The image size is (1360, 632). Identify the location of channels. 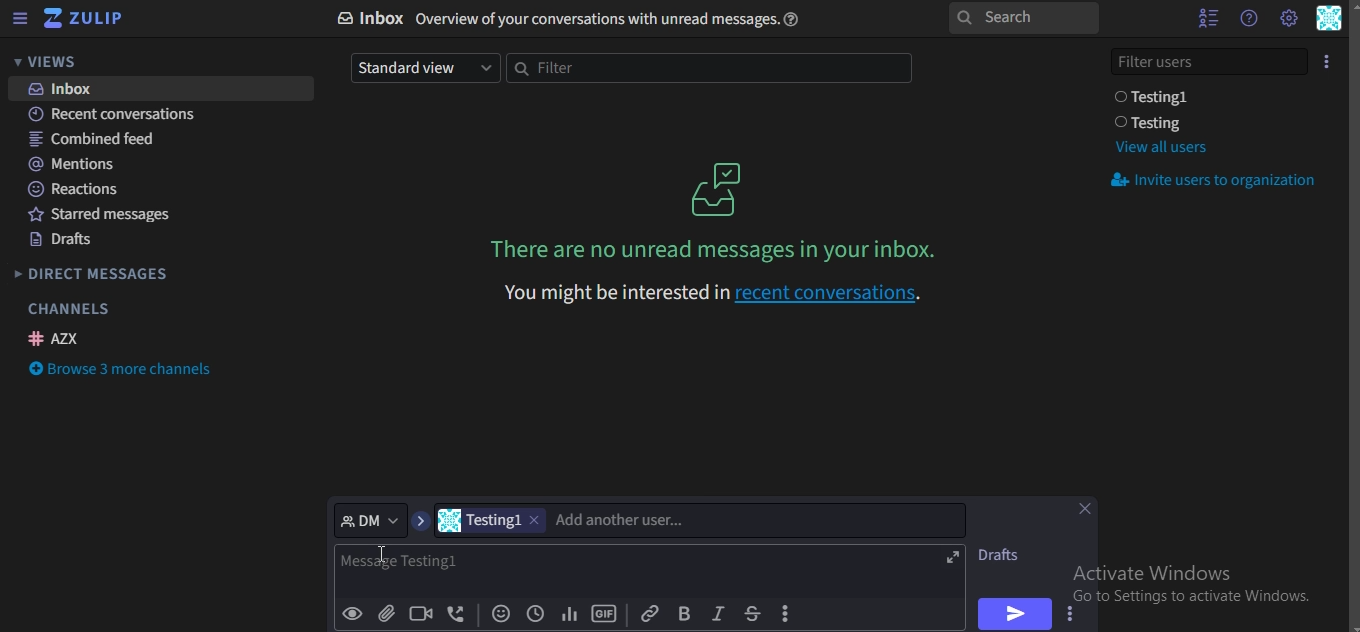
(68, 309).